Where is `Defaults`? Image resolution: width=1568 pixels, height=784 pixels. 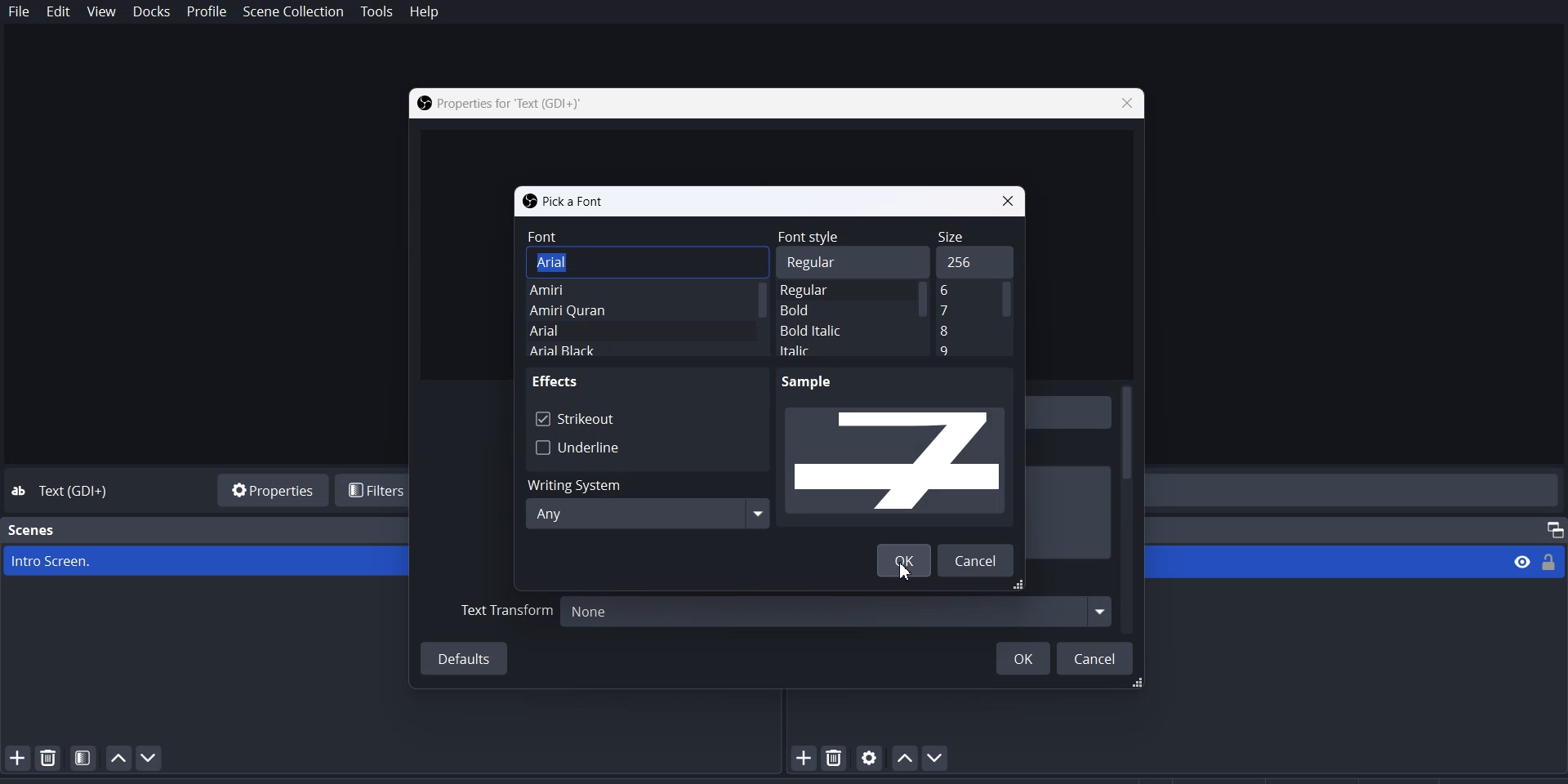 Defaults is located at coordinates (466, 658).